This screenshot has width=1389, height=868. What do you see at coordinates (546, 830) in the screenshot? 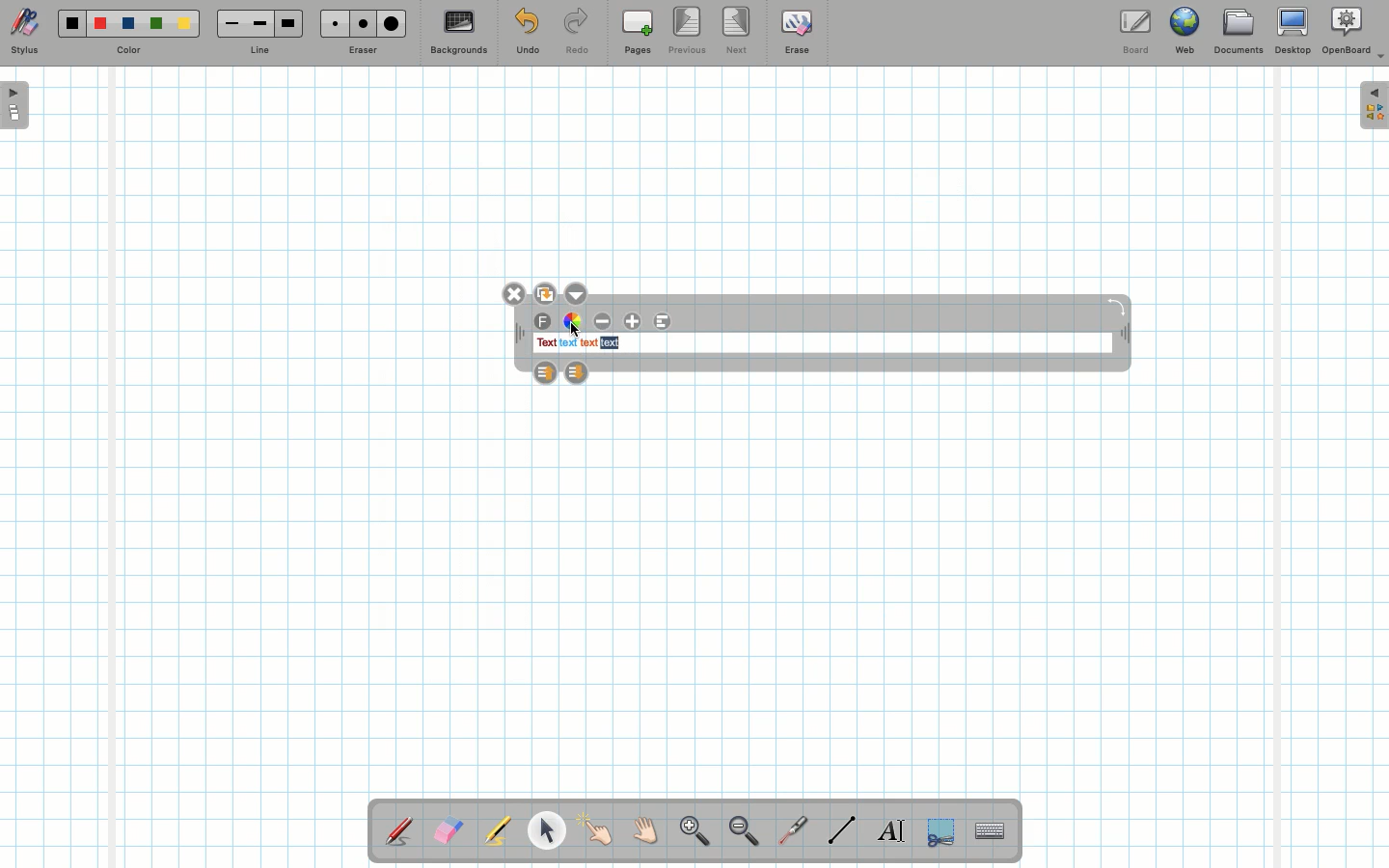
I see `Pointer` at bounding box center [546, 830].